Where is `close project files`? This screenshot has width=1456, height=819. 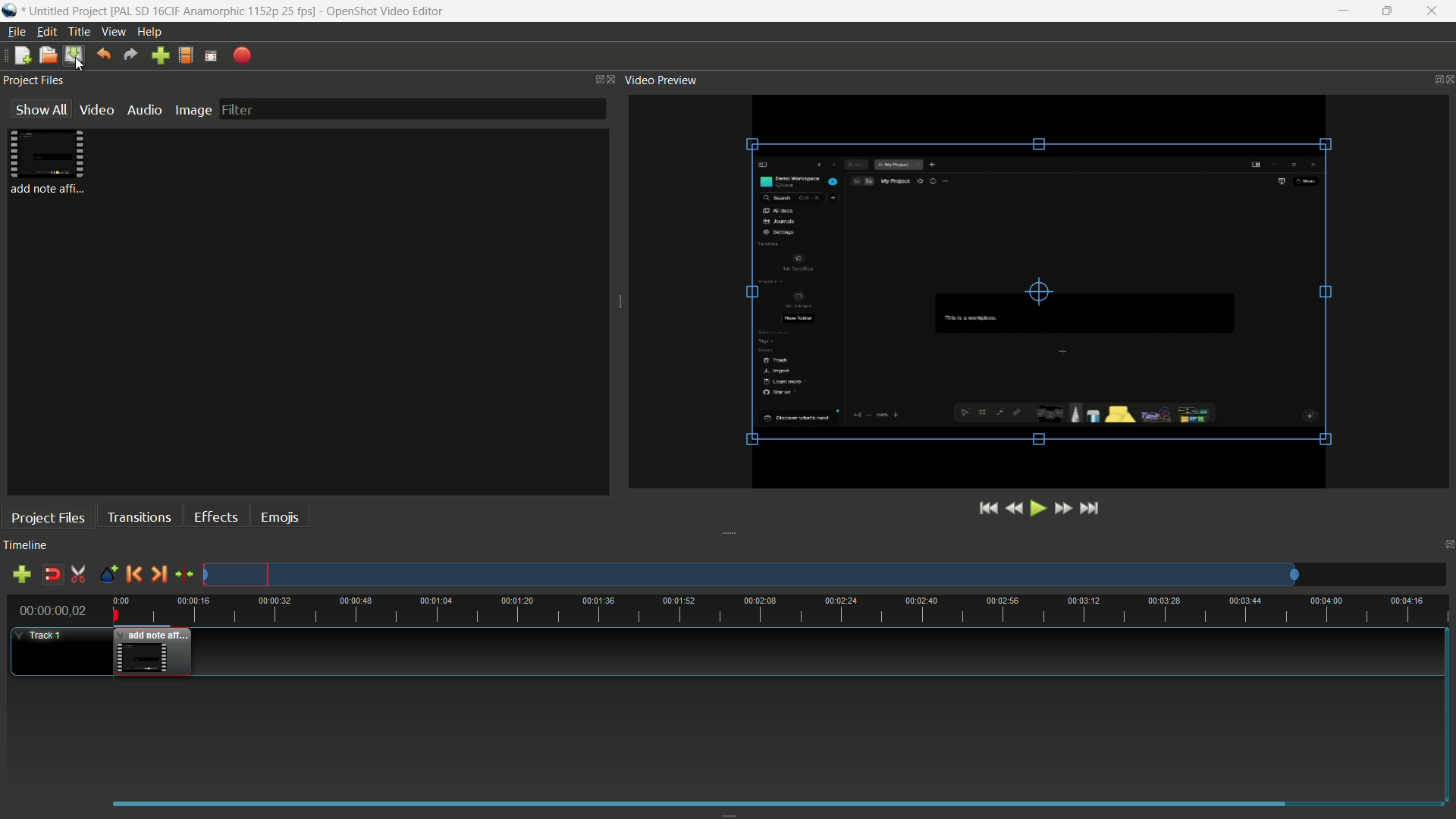
close project files is located at coordinates (610, 79).